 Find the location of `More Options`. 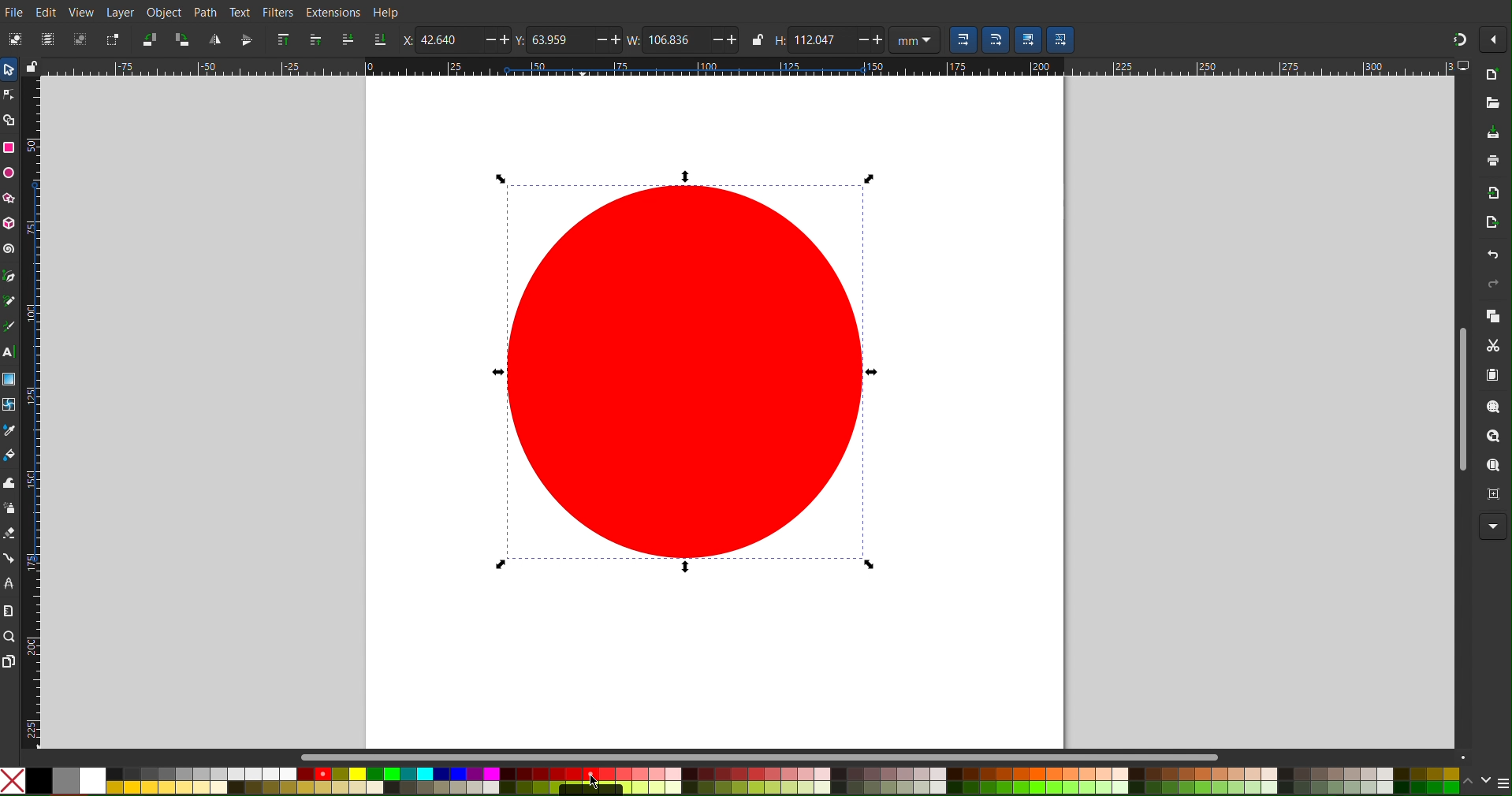

More Options is located at coordinates (1492, 527).